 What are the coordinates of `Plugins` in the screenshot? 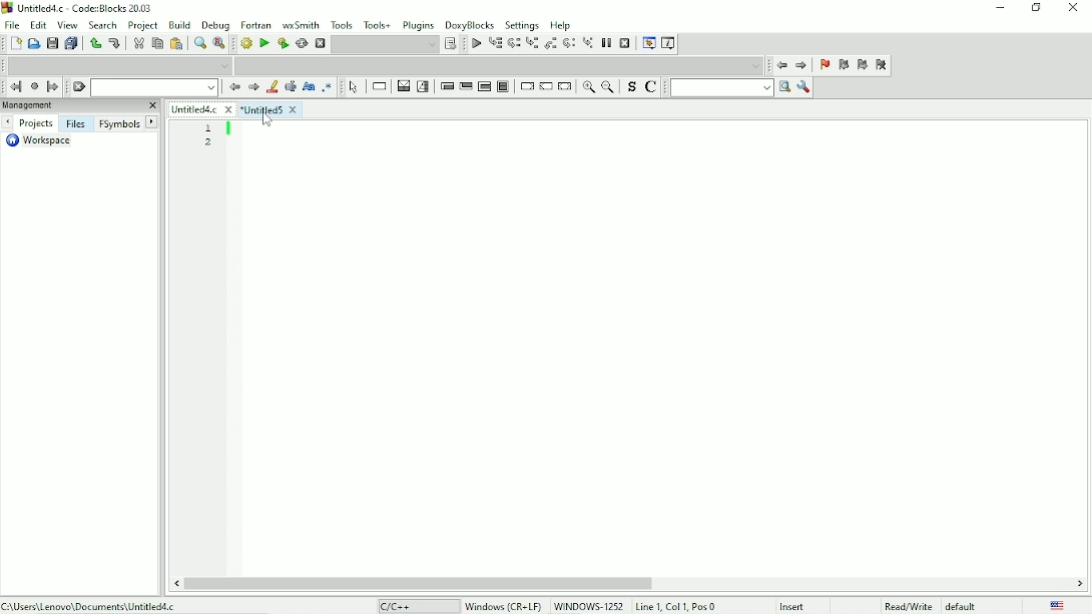 It's located at (418, 25).